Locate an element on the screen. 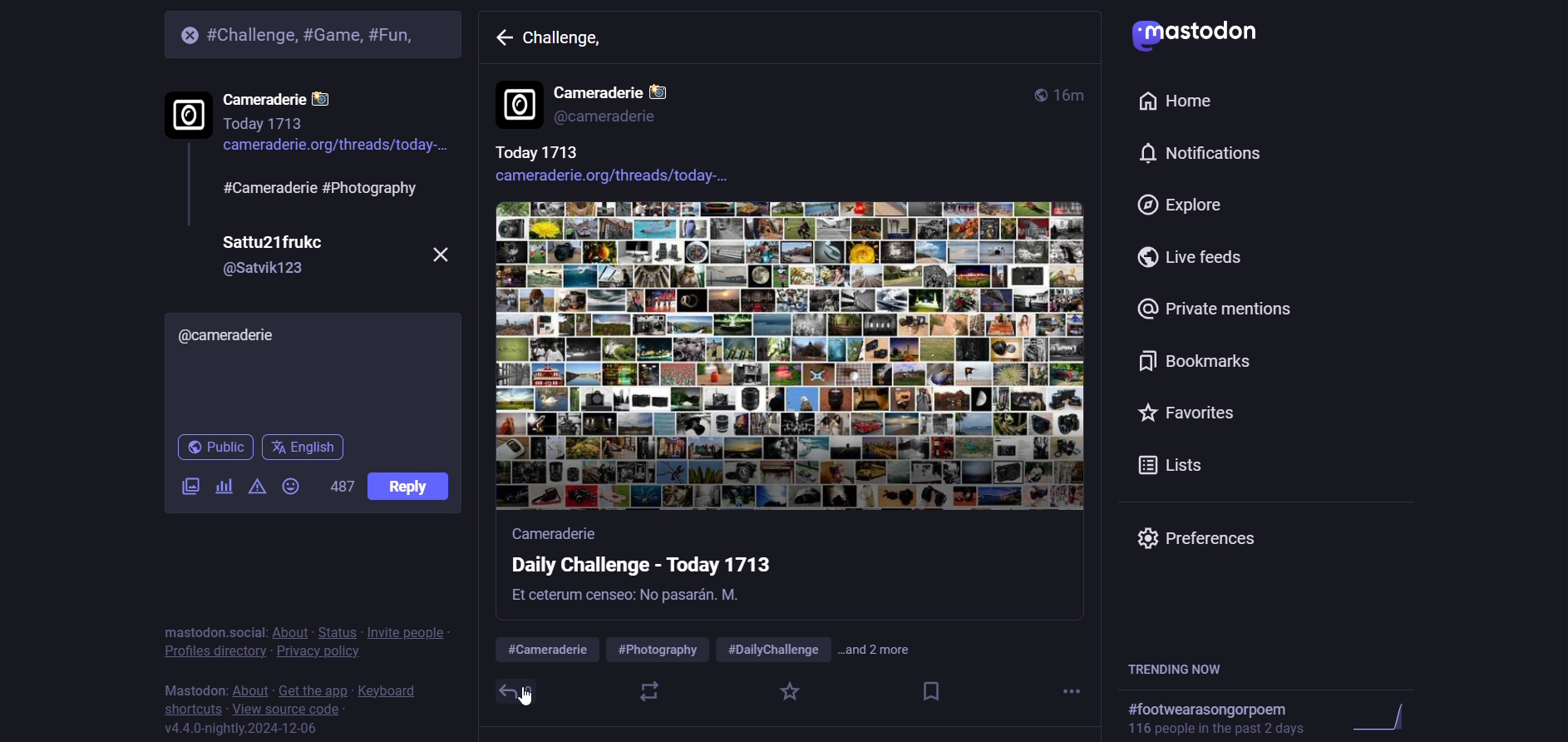  and 2 more is located at coordinates (891, 650).